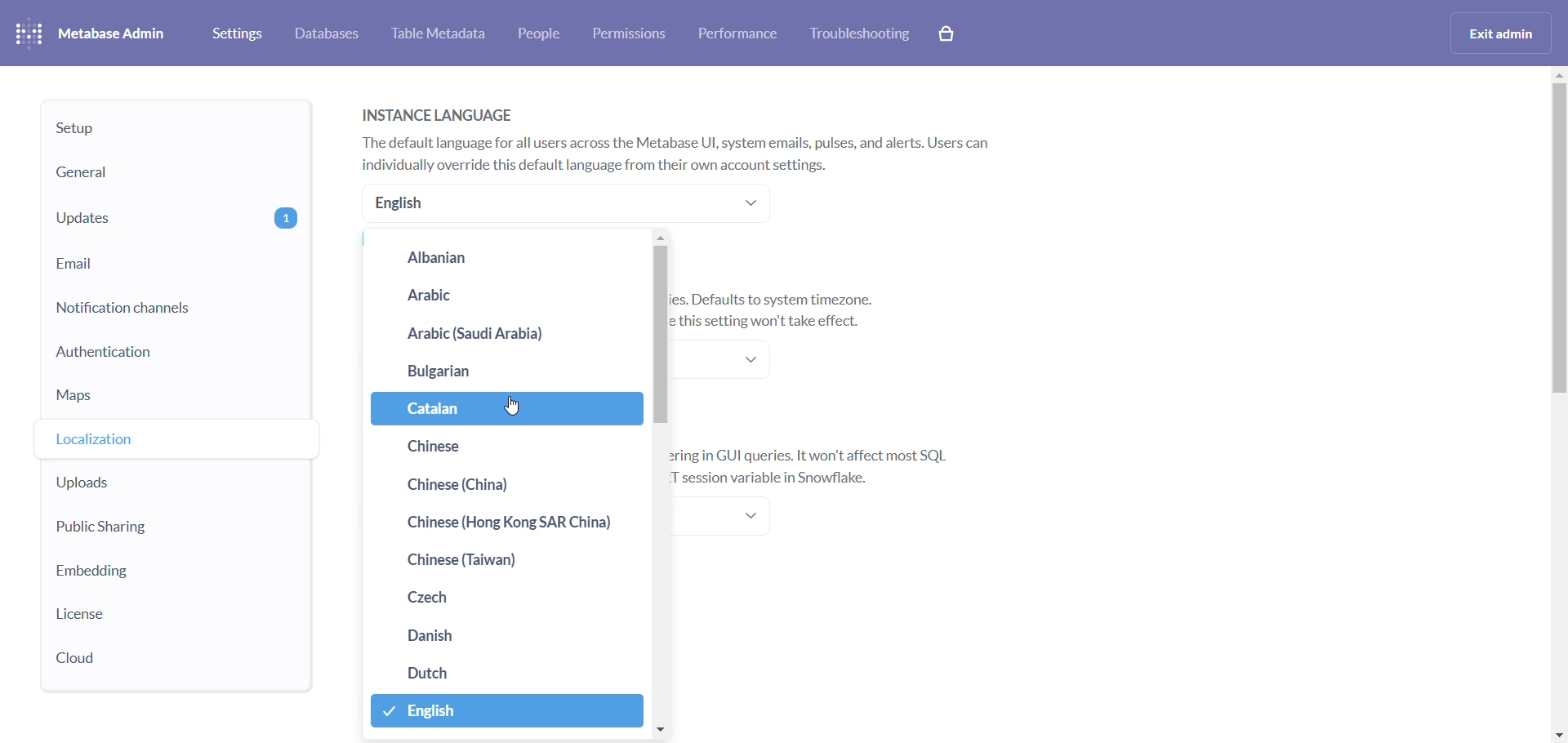 Image resolution: width=1568 pixels, height=743 pixels. What do you see at coordinates (1558, 736) in the screenshot?
I see `move down` at bounding box center [1558, 736].